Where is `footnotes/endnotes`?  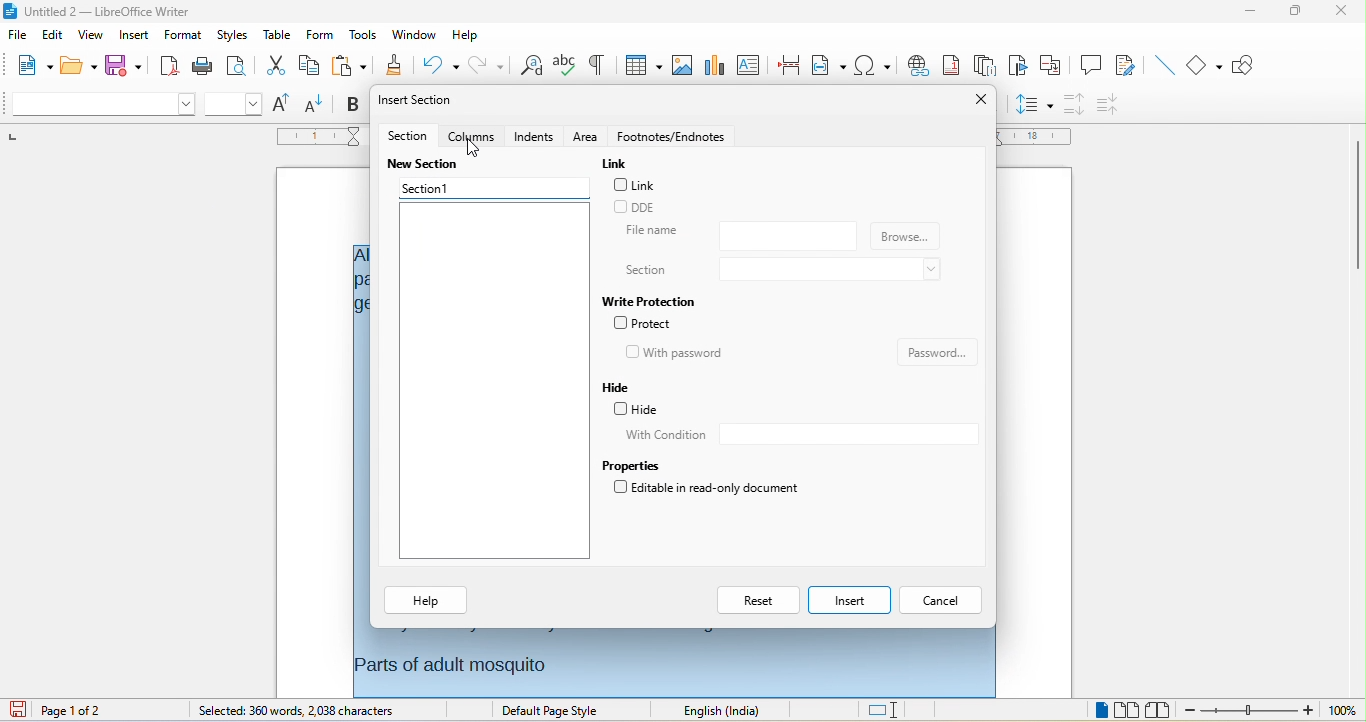 footnotes/endnotes is located at coordinates (673, 137).